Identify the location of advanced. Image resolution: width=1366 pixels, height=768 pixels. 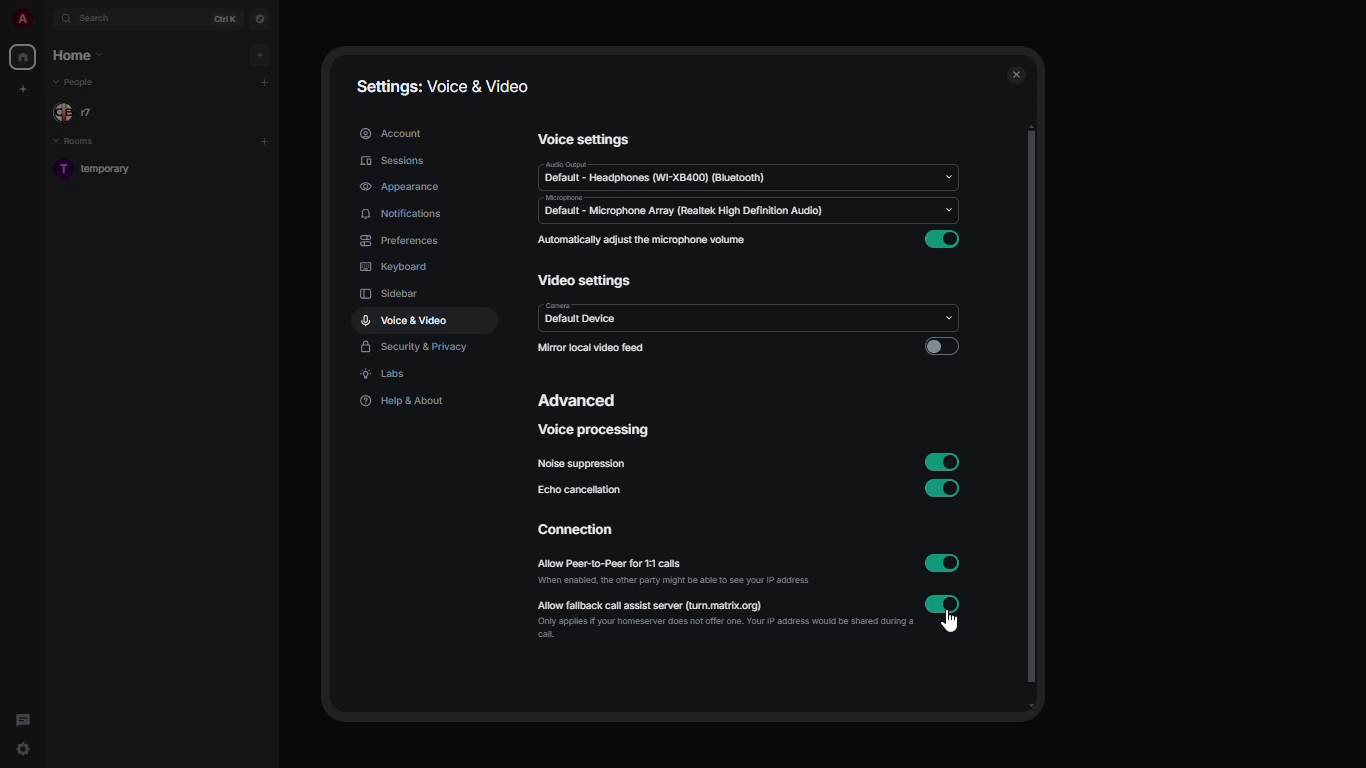
(578, 399).